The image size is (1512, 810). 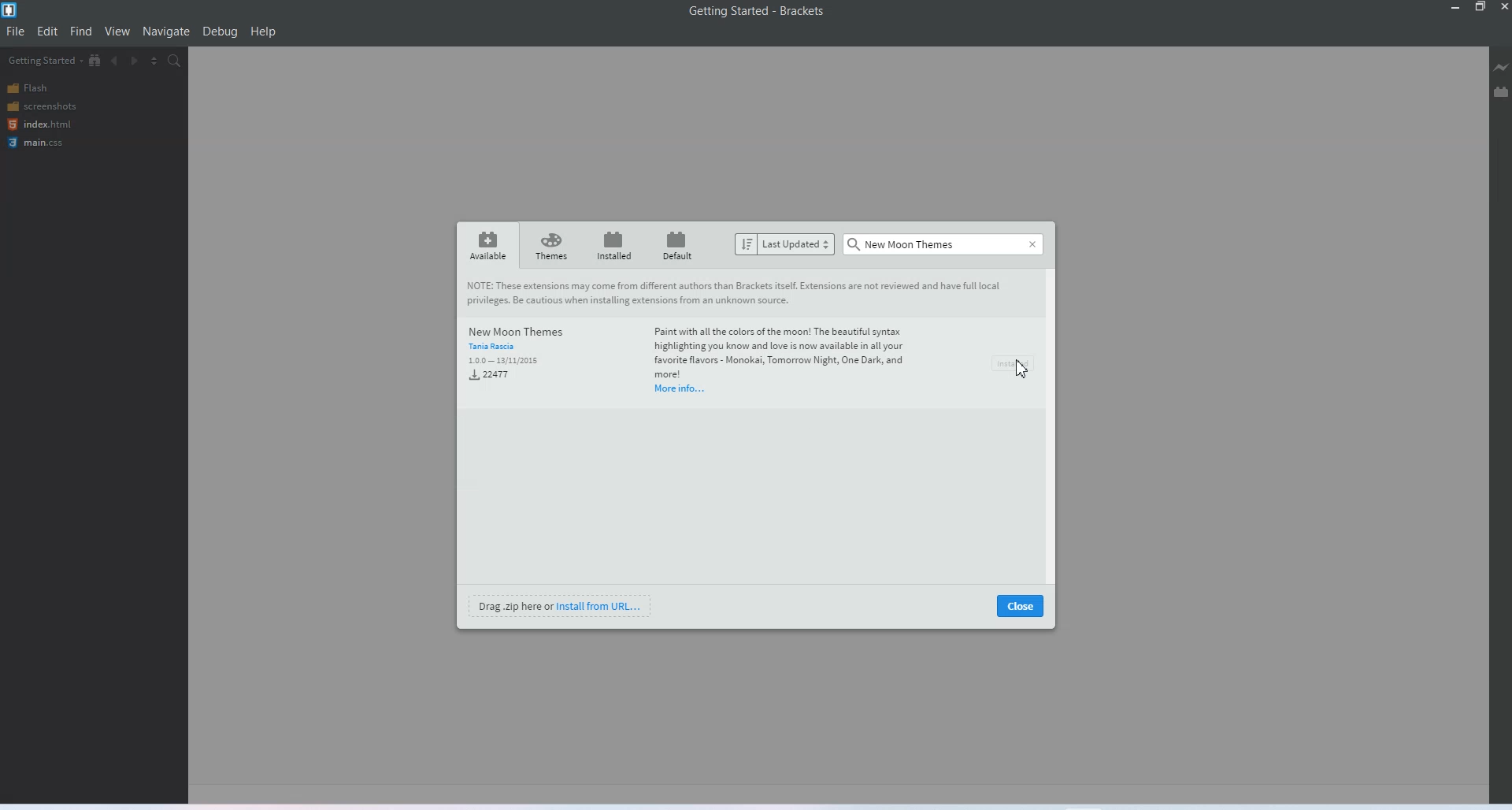 I want to click on index.html, so click(x=38, y=124).